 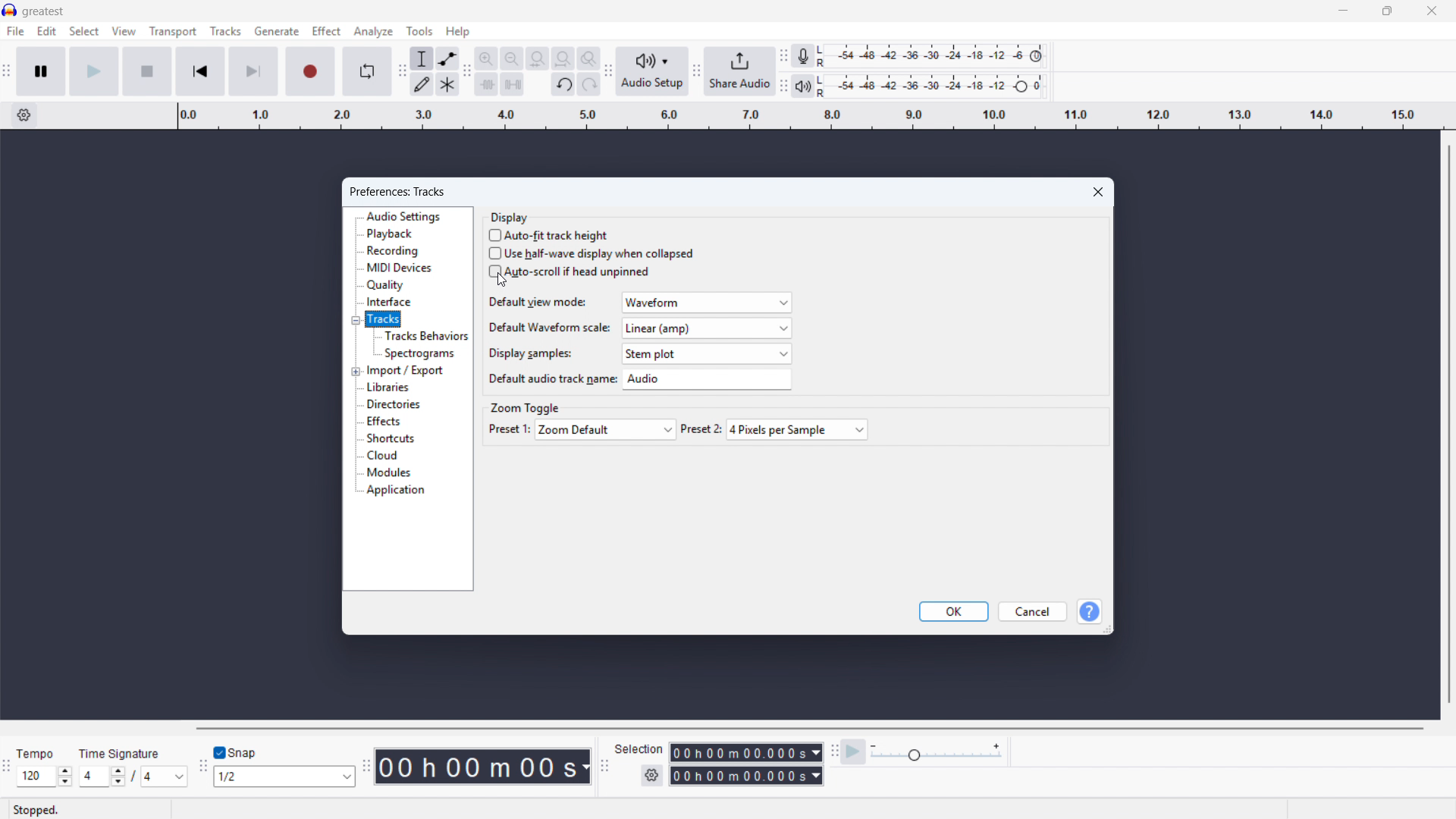 I want to click on help , so click(x=1088, y=611).